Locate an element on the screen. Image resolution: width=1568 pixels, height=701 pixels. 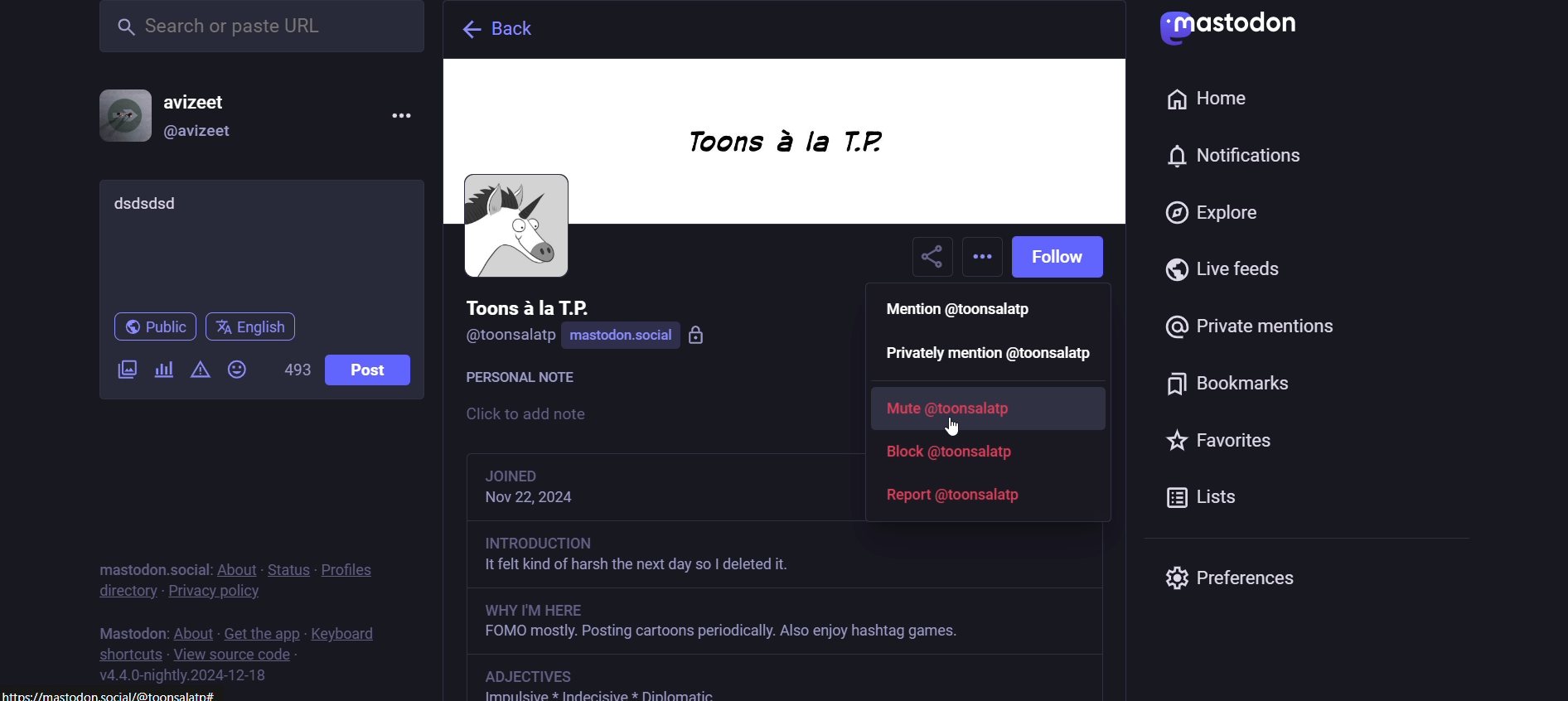
text is located at coordinates (128, 626).